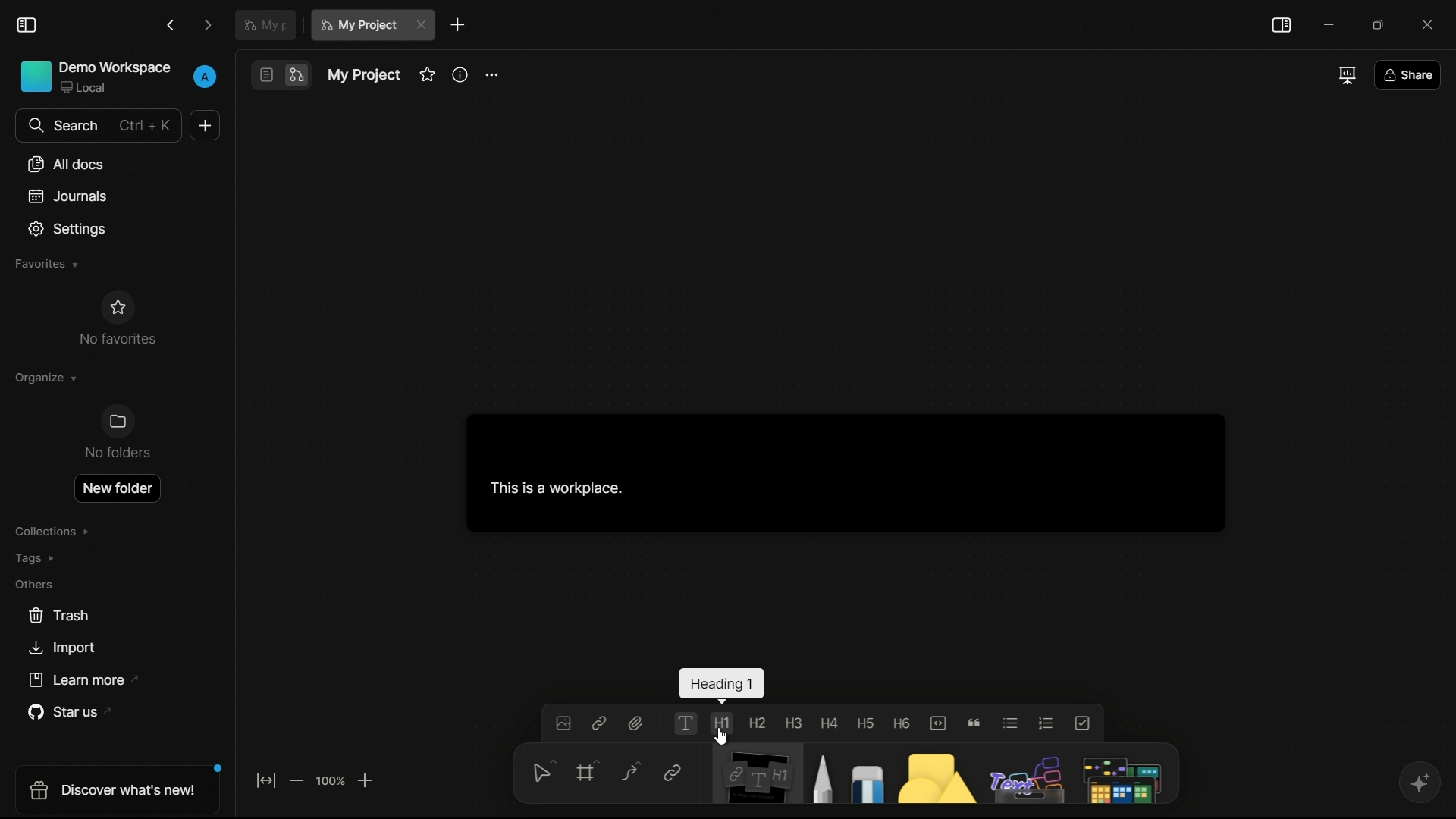  I want to click on close, so click(423, 26).